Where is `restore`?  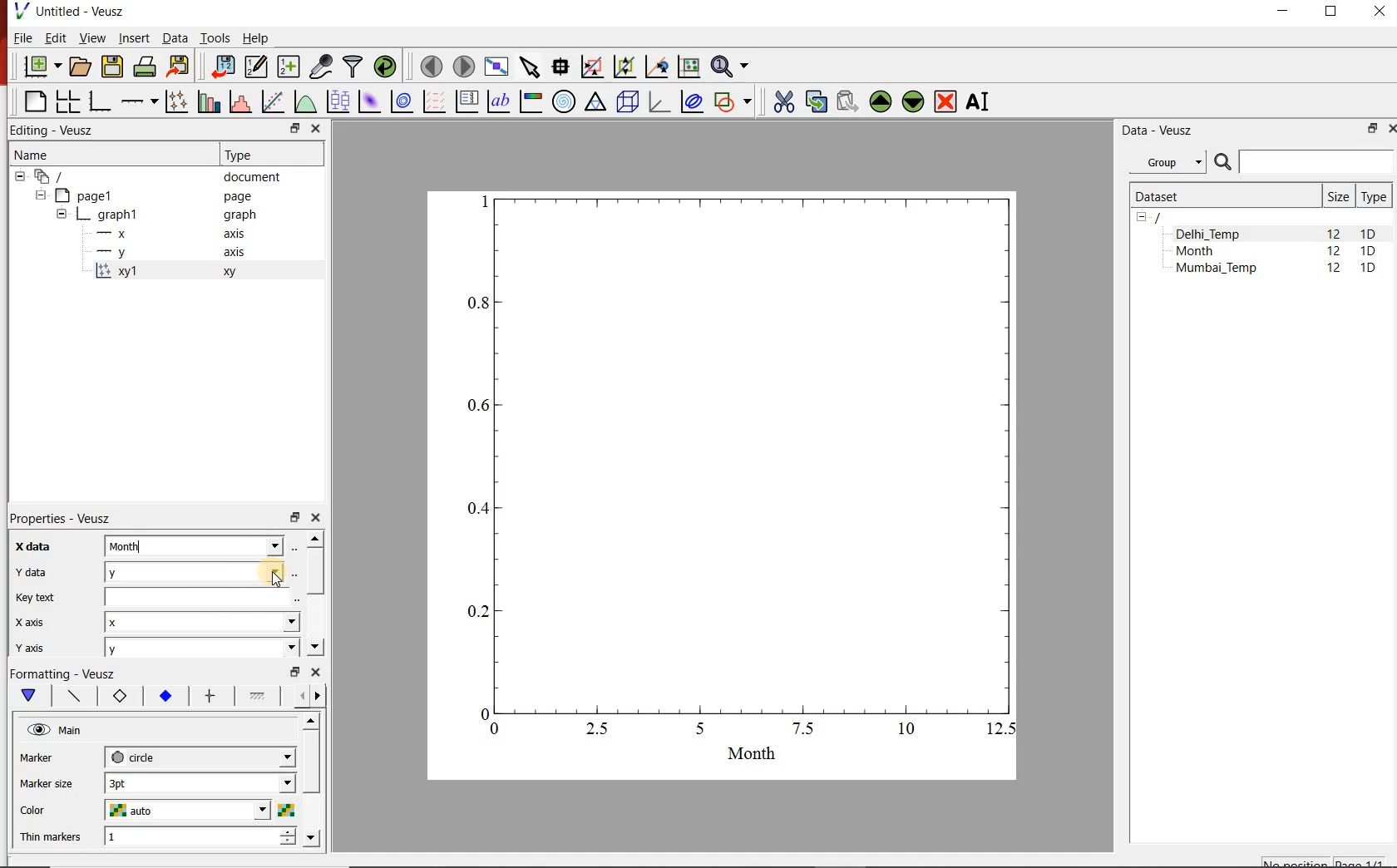 restore is located at coordinates (297, 671).